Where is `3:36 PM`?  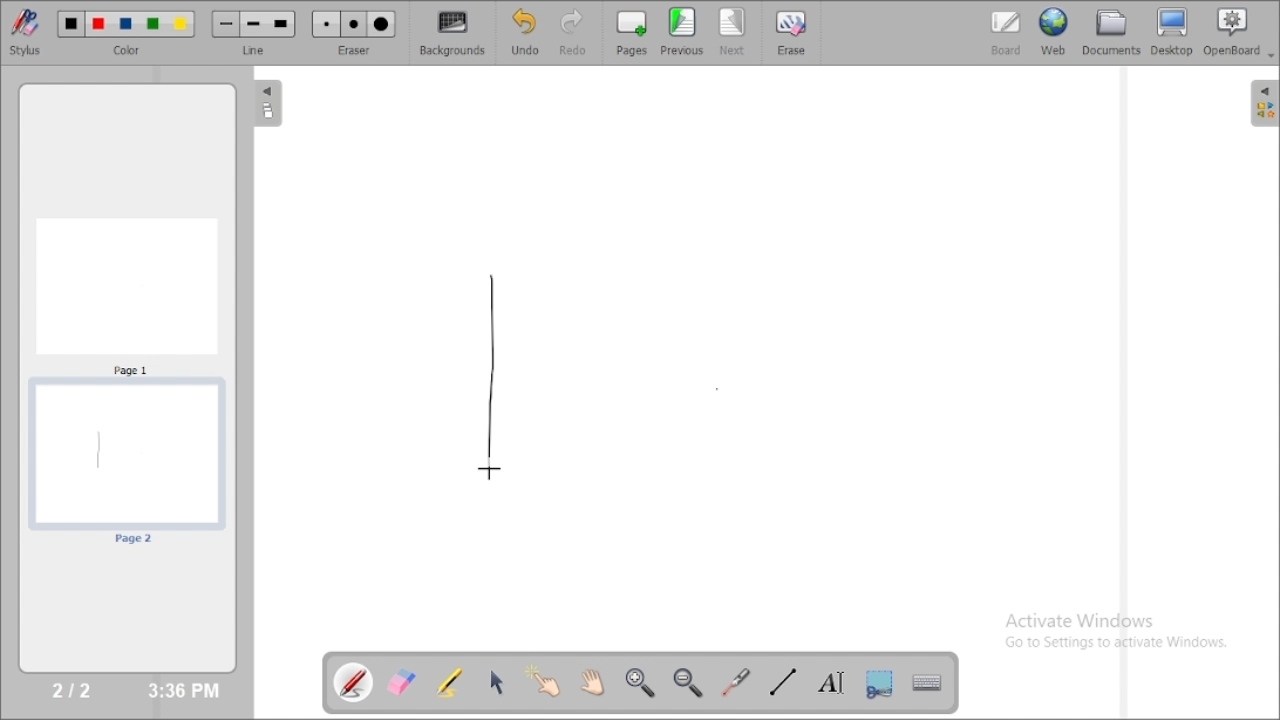
3:36 PM is located at coordinates (182, 691).